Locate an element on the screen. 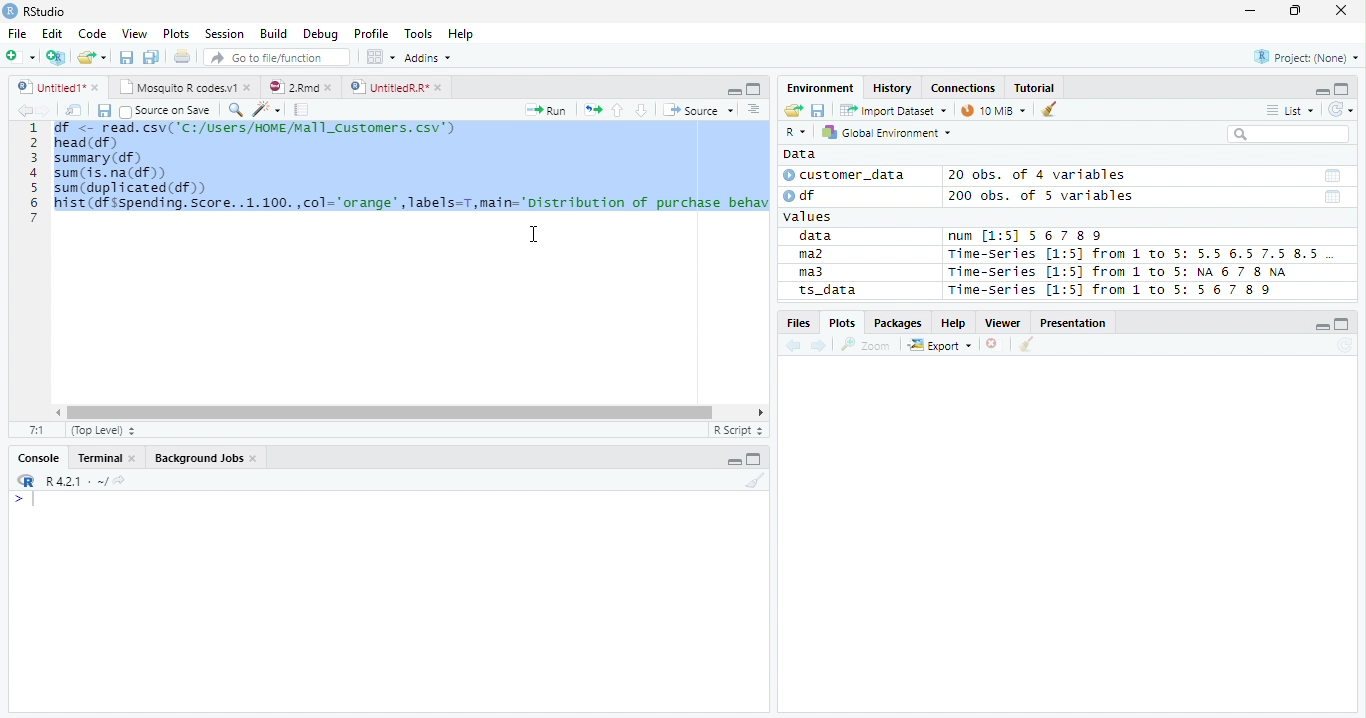 Image resolution: width=1366 pixels, height=718 pixels. 10 MiB is located at coordinates (995, 110).